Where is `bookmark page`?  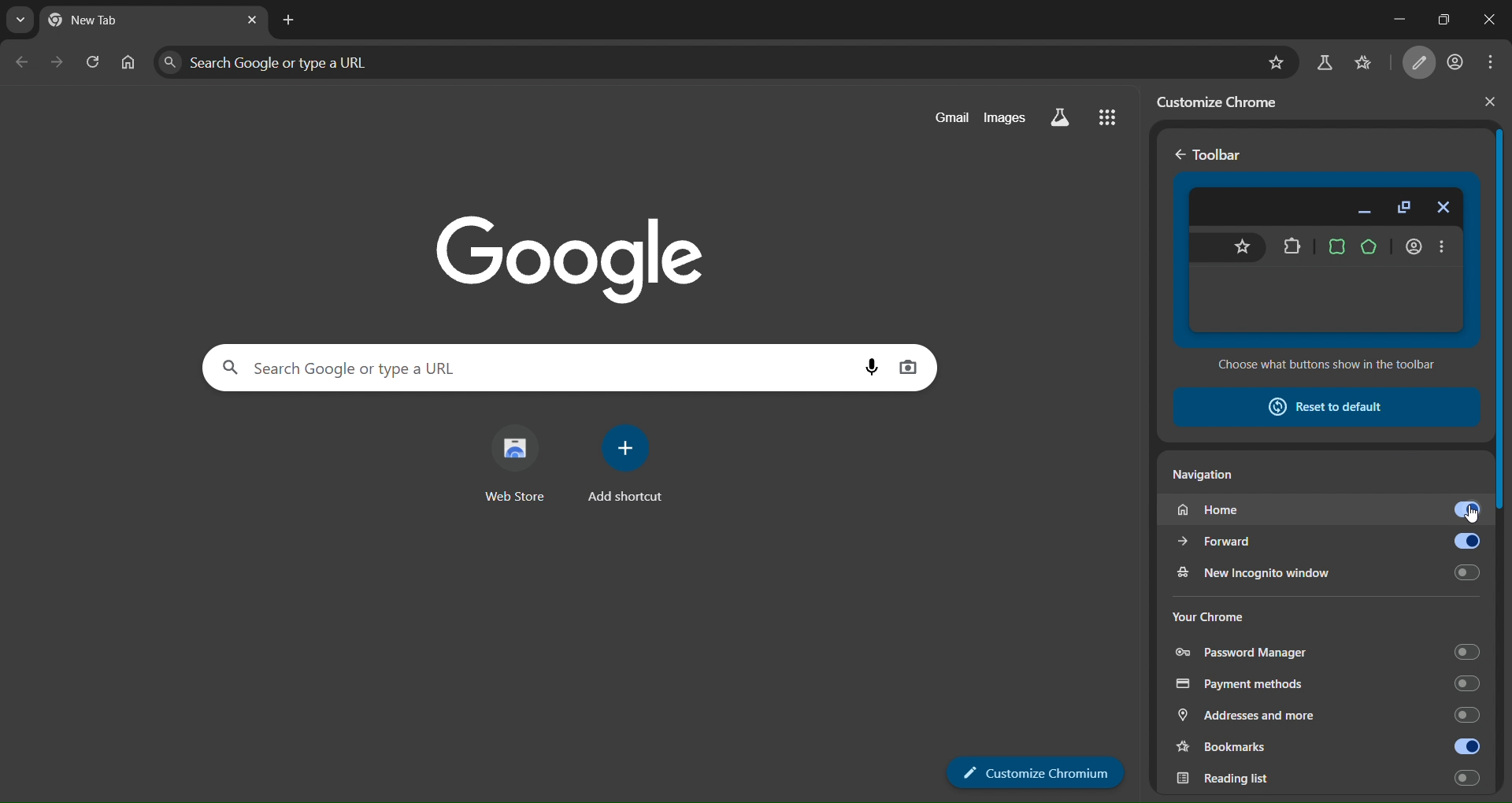
bookmark page is located at coordinates (1271, 62).